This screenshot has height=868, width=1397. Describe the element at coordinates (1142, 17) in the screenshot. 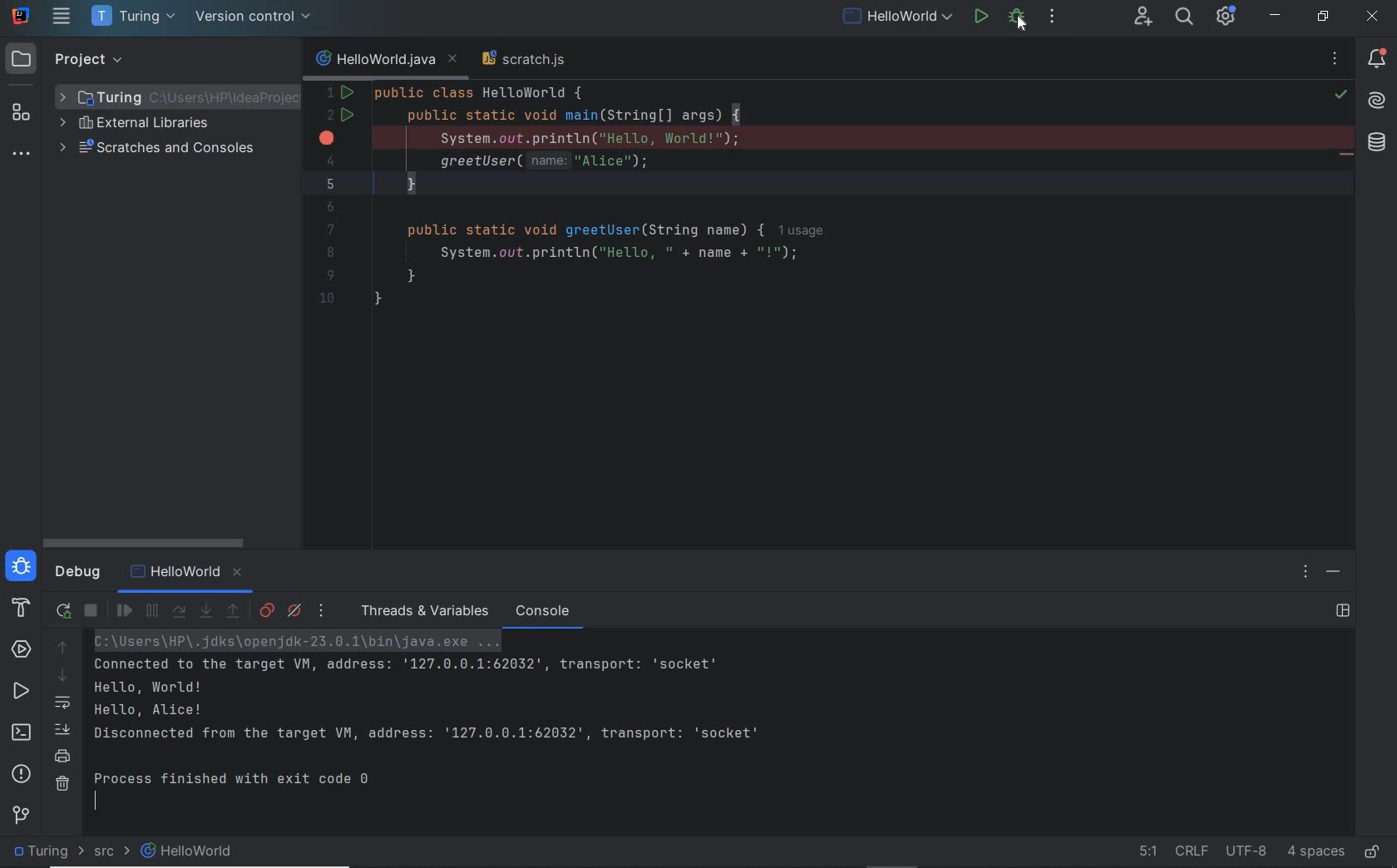

I see `code with me` at that location.